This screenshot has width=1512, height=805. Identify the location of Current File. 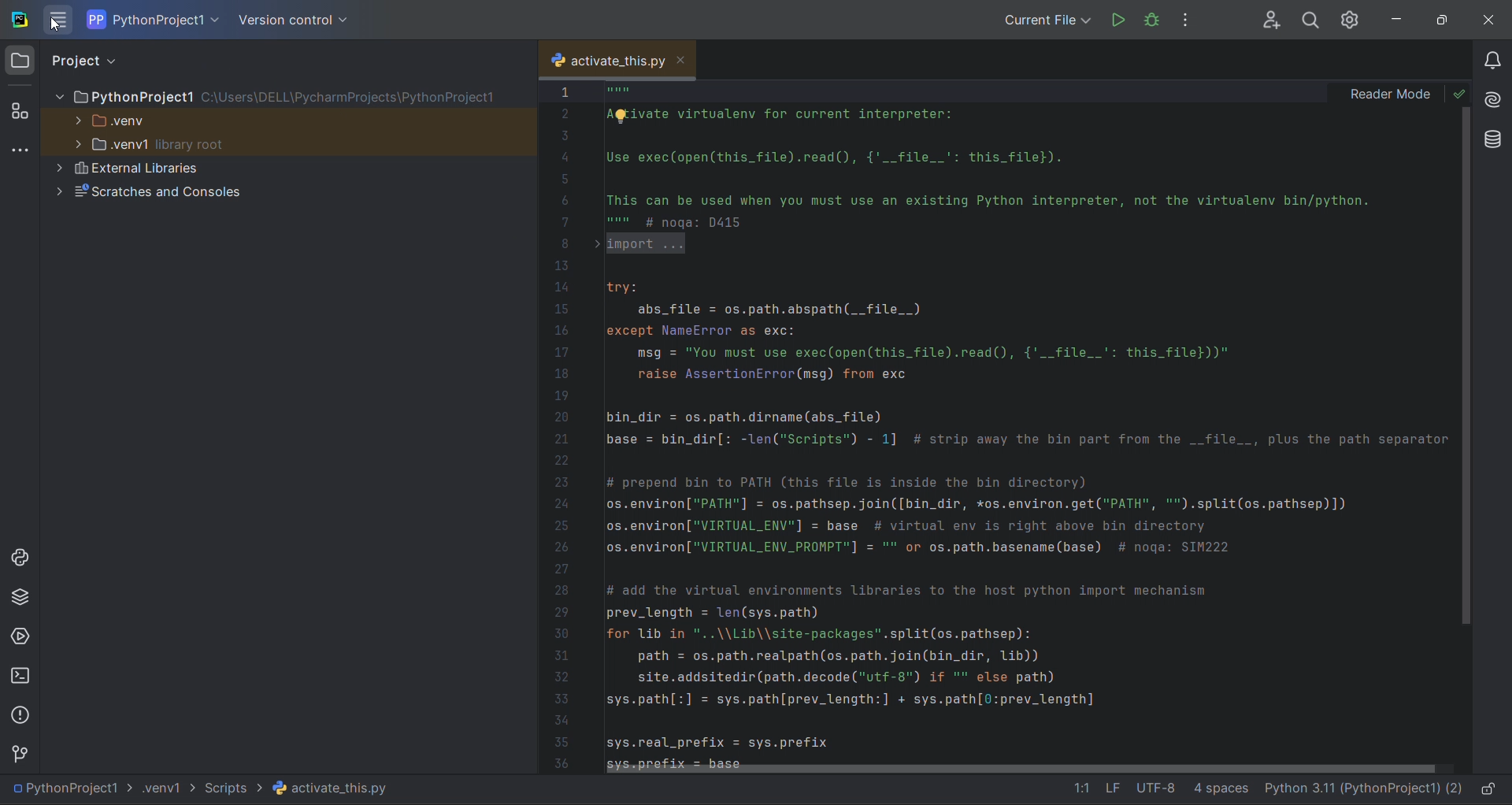
(1048, 21).